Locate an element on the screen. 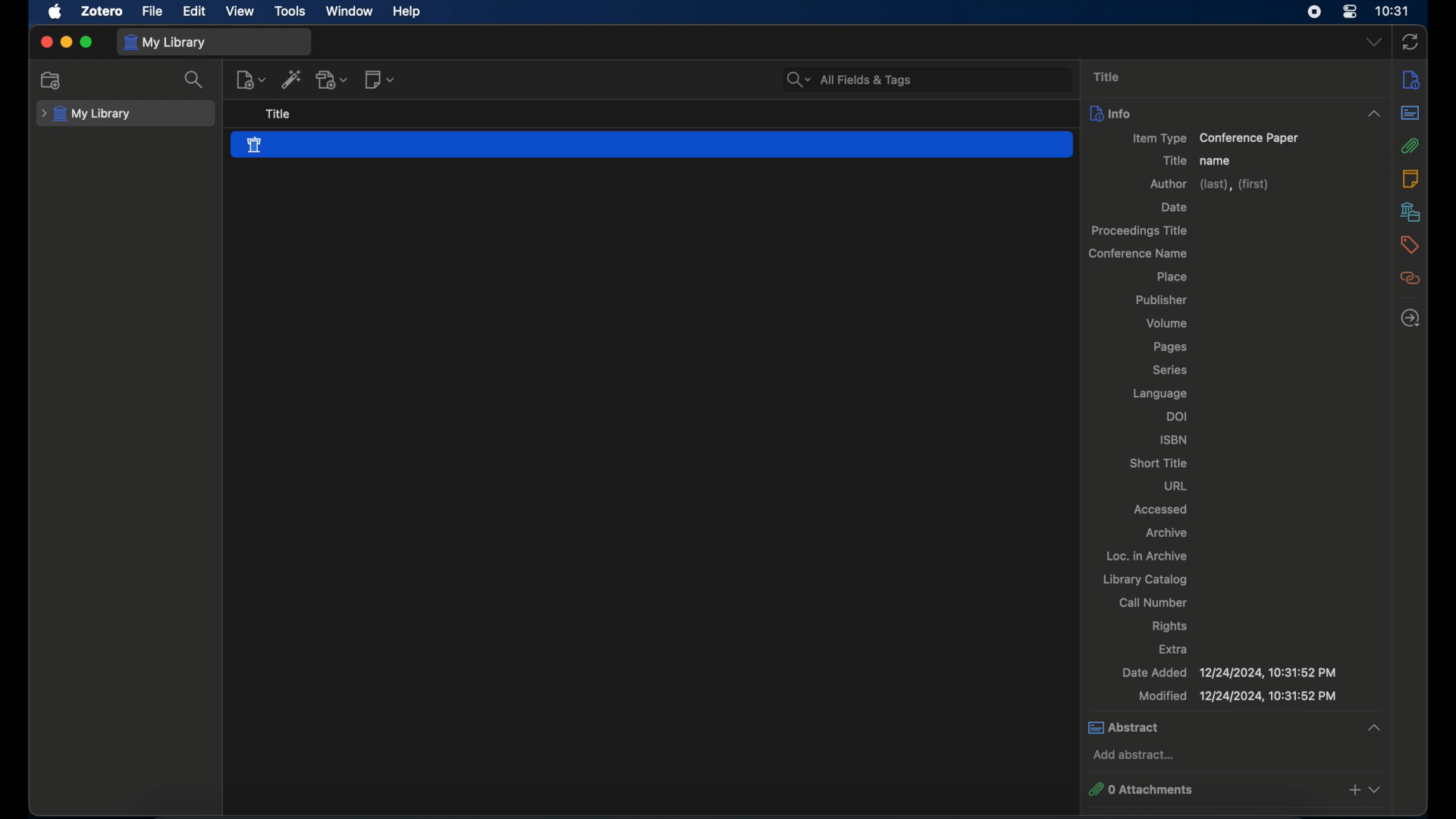 The image size is (1456, 819). dropdown is located at coordinates (1375, 42).